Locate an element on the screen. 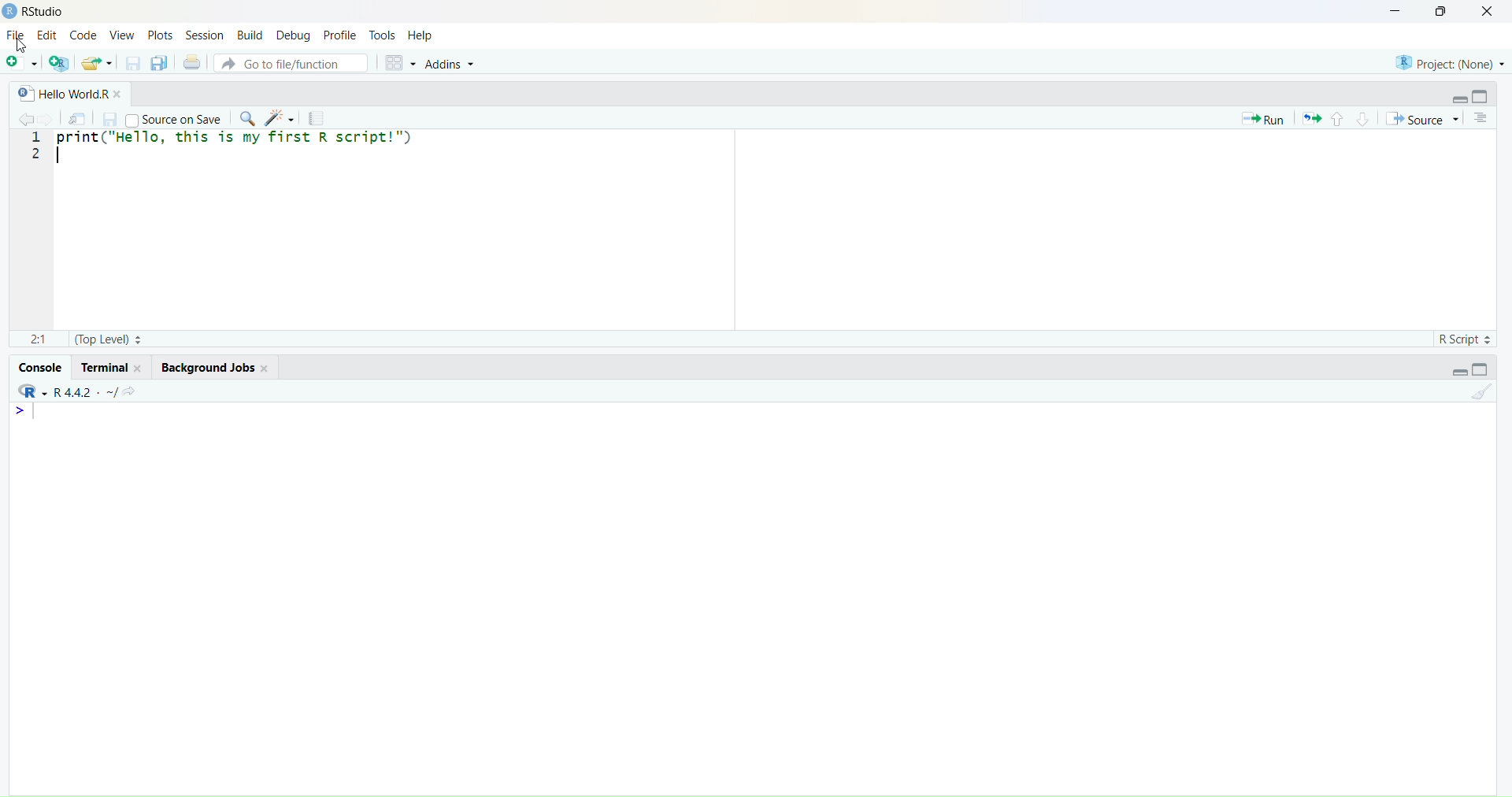 The width and height of the screenshot is (1512, 797). Minimize is located at coordinates (1459, 373).